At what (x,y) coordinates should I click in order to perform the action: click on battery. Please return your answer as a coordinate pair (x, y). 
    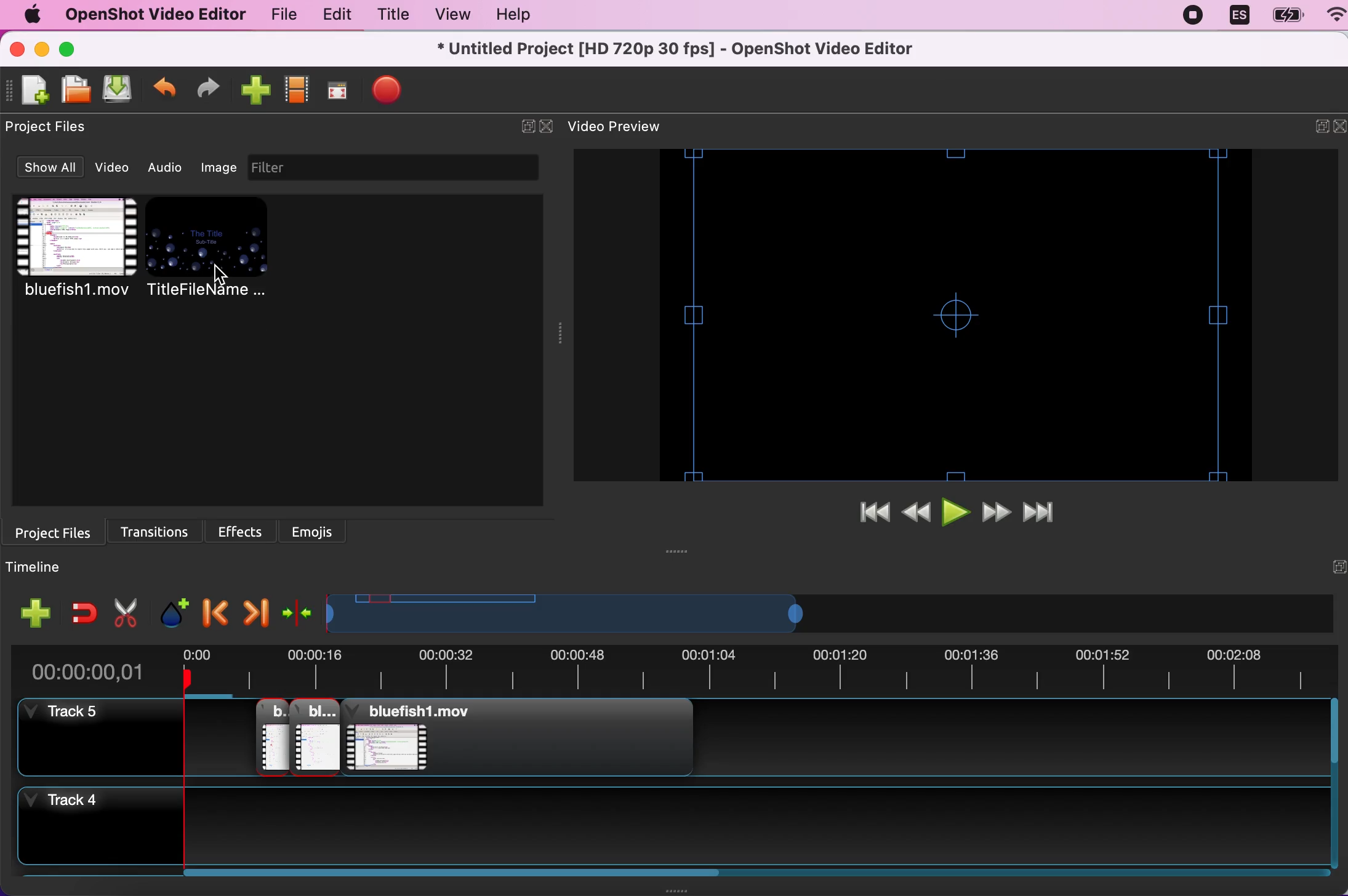
    Looking at the image, I should click on (1283, 16).